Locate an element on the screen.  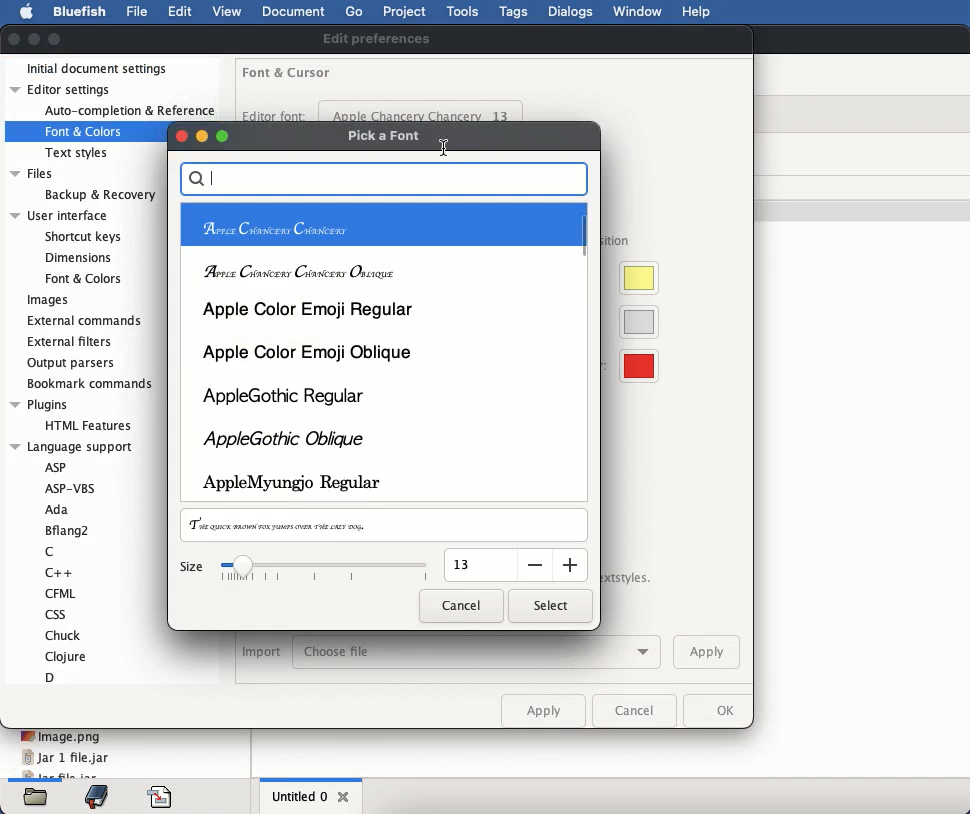
images is located at coordinates (51, 301).